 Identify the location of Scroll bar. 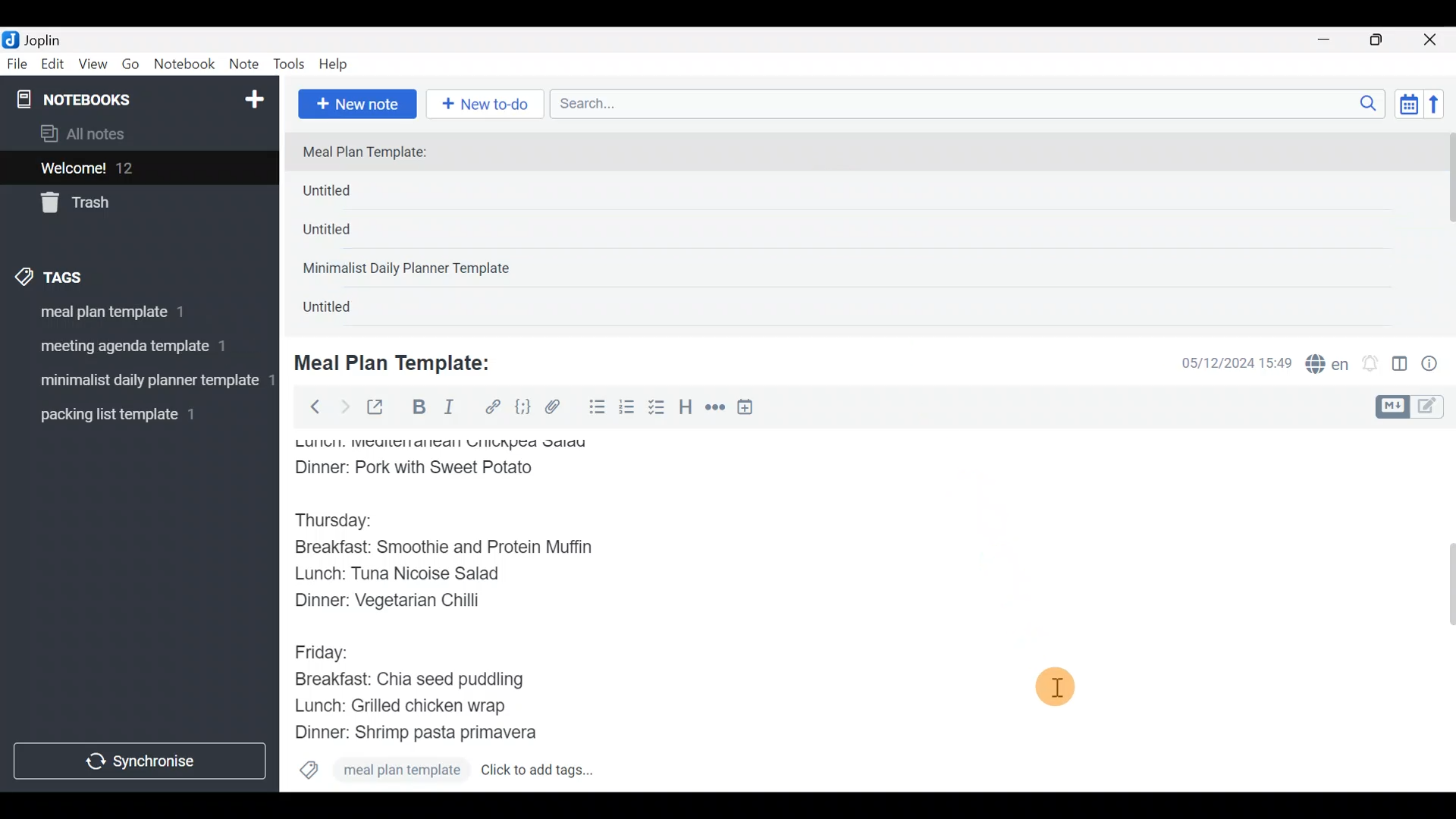
(1440, 610).